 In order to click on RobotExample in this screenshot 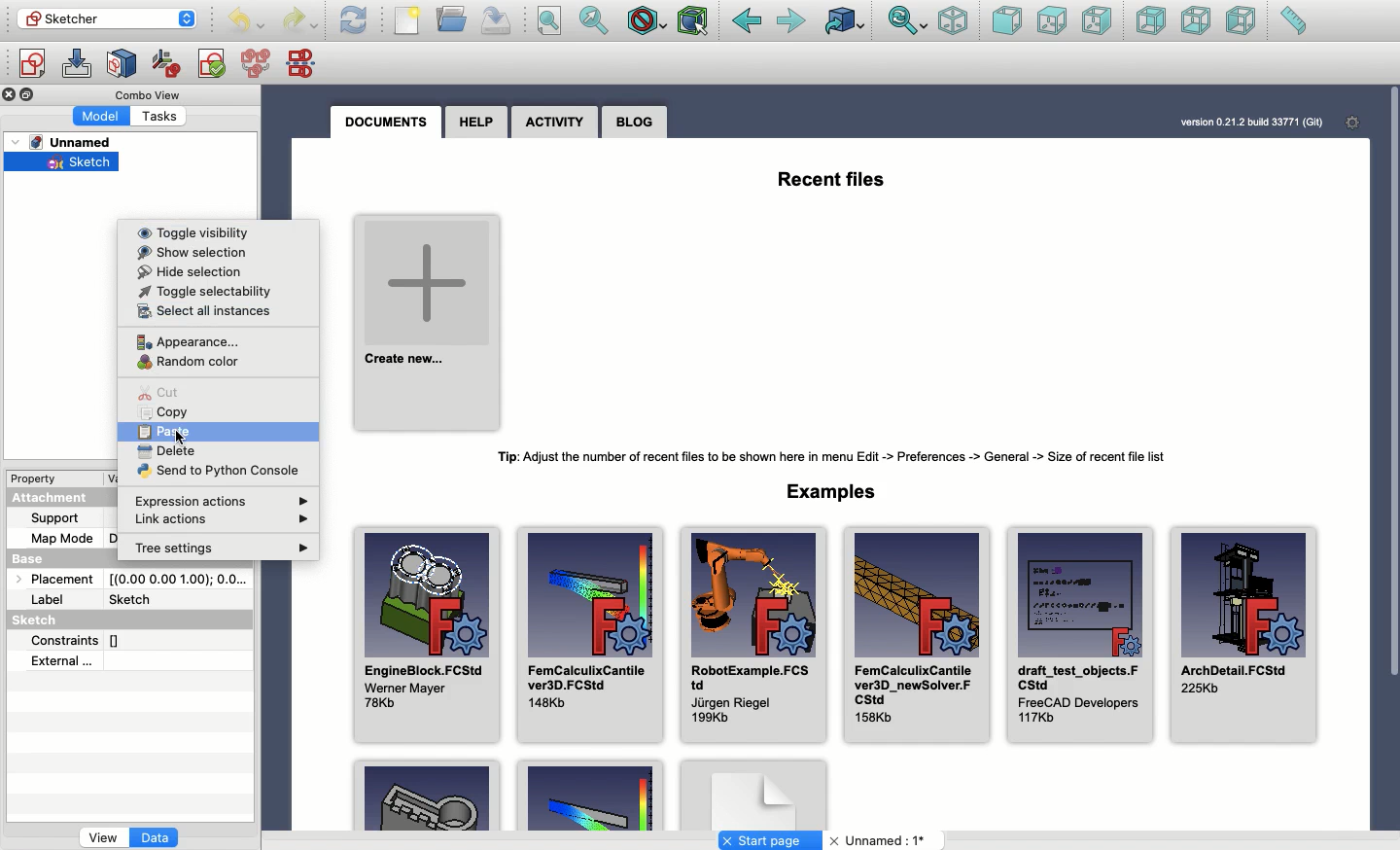, I will do `click(750, 635)`.